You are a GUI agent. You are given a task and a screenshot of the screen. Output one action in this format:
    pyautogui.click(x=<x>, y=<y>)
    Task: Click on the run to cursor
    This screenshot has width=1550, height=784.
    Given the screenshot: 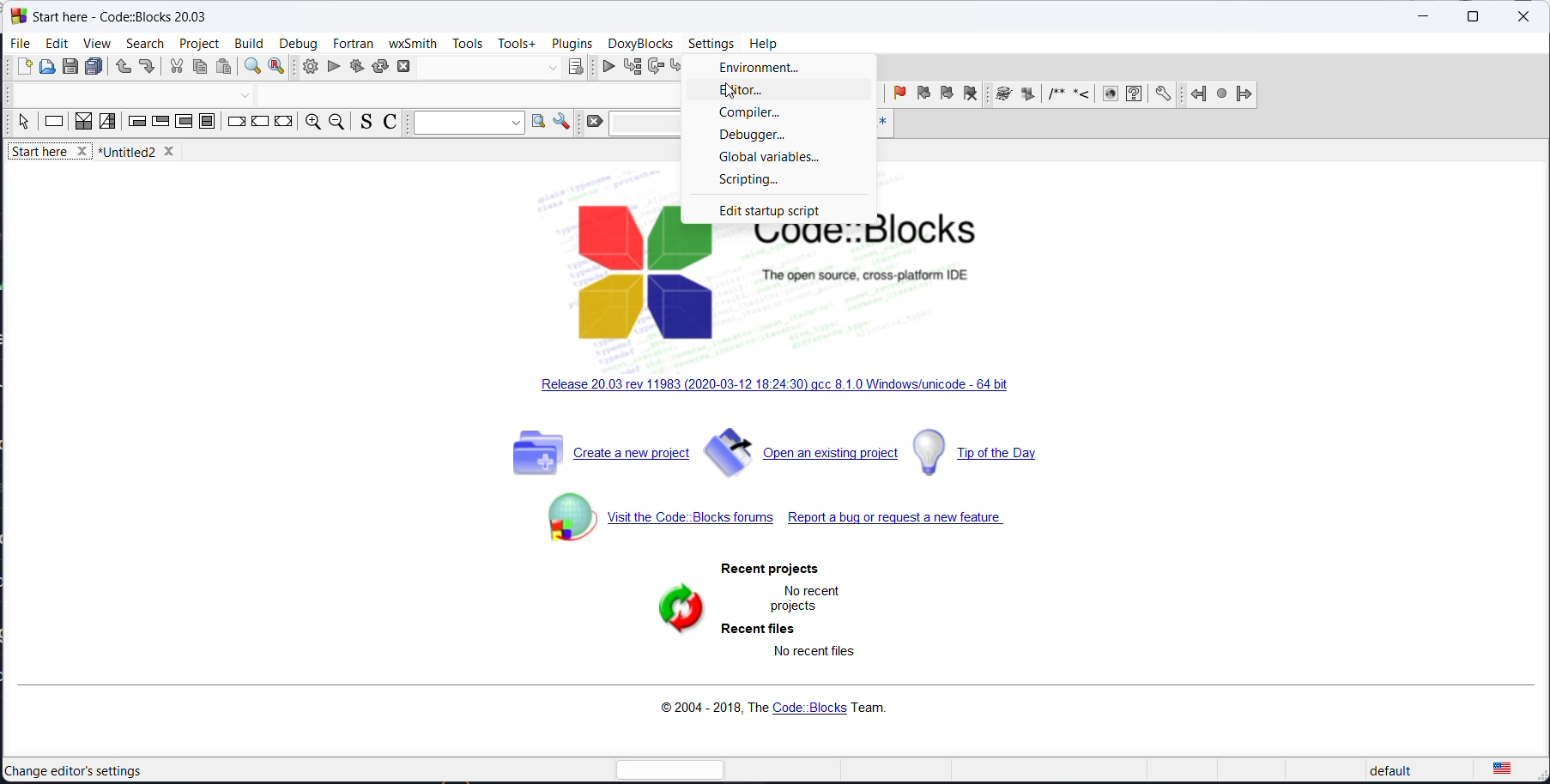 What is the action you would take?
    pyautogui.click(x=630, y=67)
    